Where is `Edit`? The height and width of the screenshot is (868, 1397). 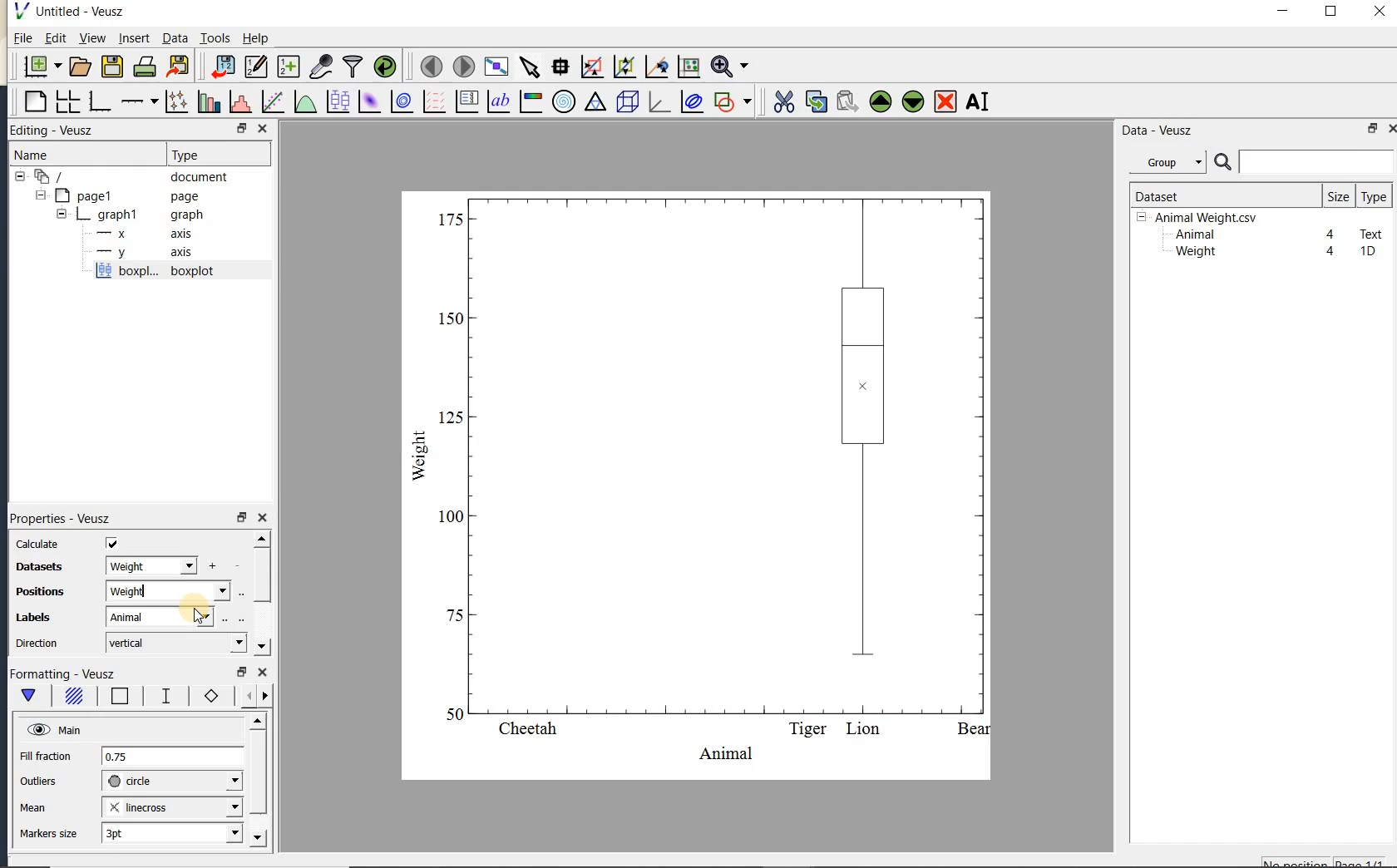 Edit is located at coordinates (52, 40).